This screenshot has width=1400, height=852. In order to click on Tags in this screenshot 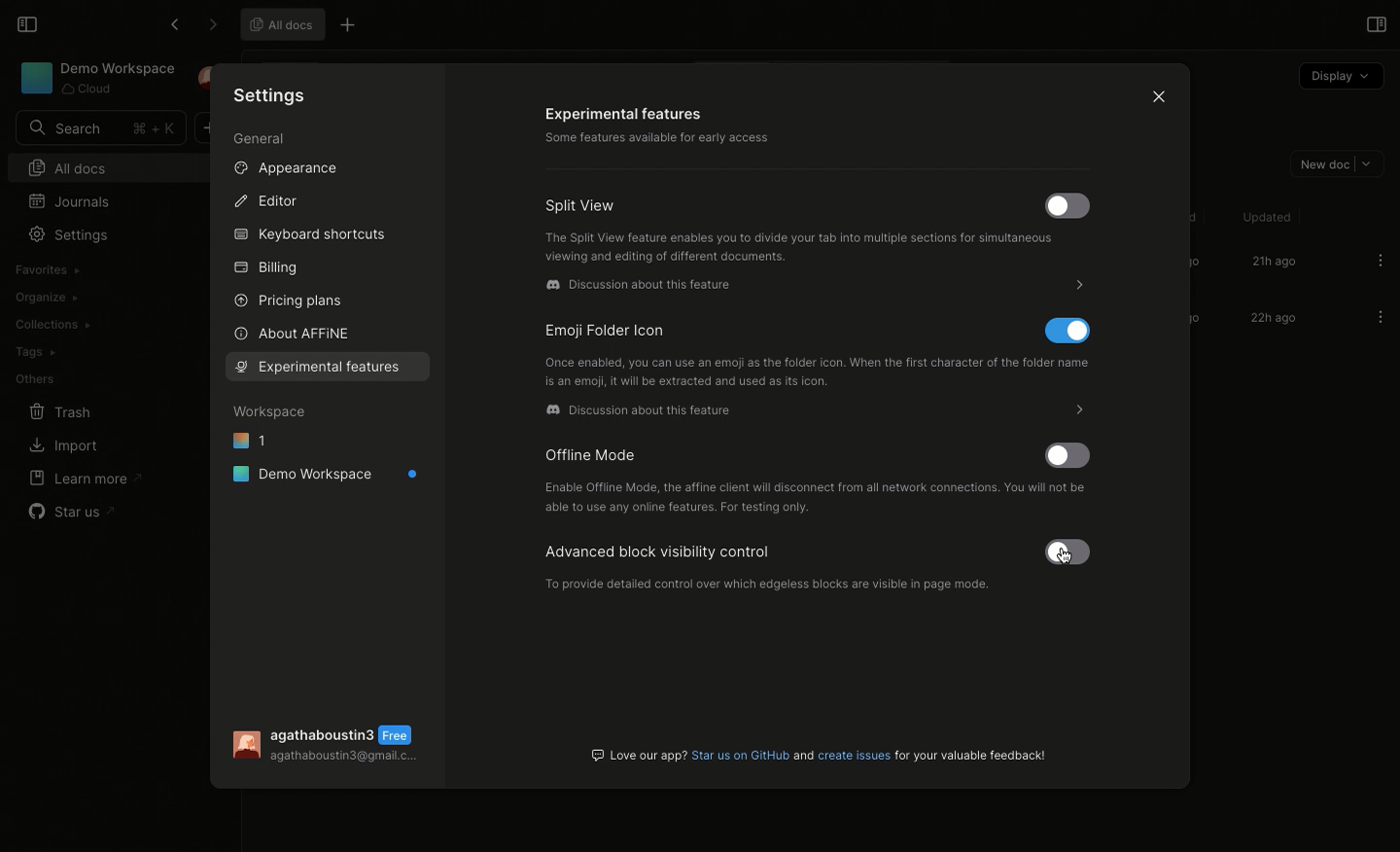, I will do `click(34, 352)`.